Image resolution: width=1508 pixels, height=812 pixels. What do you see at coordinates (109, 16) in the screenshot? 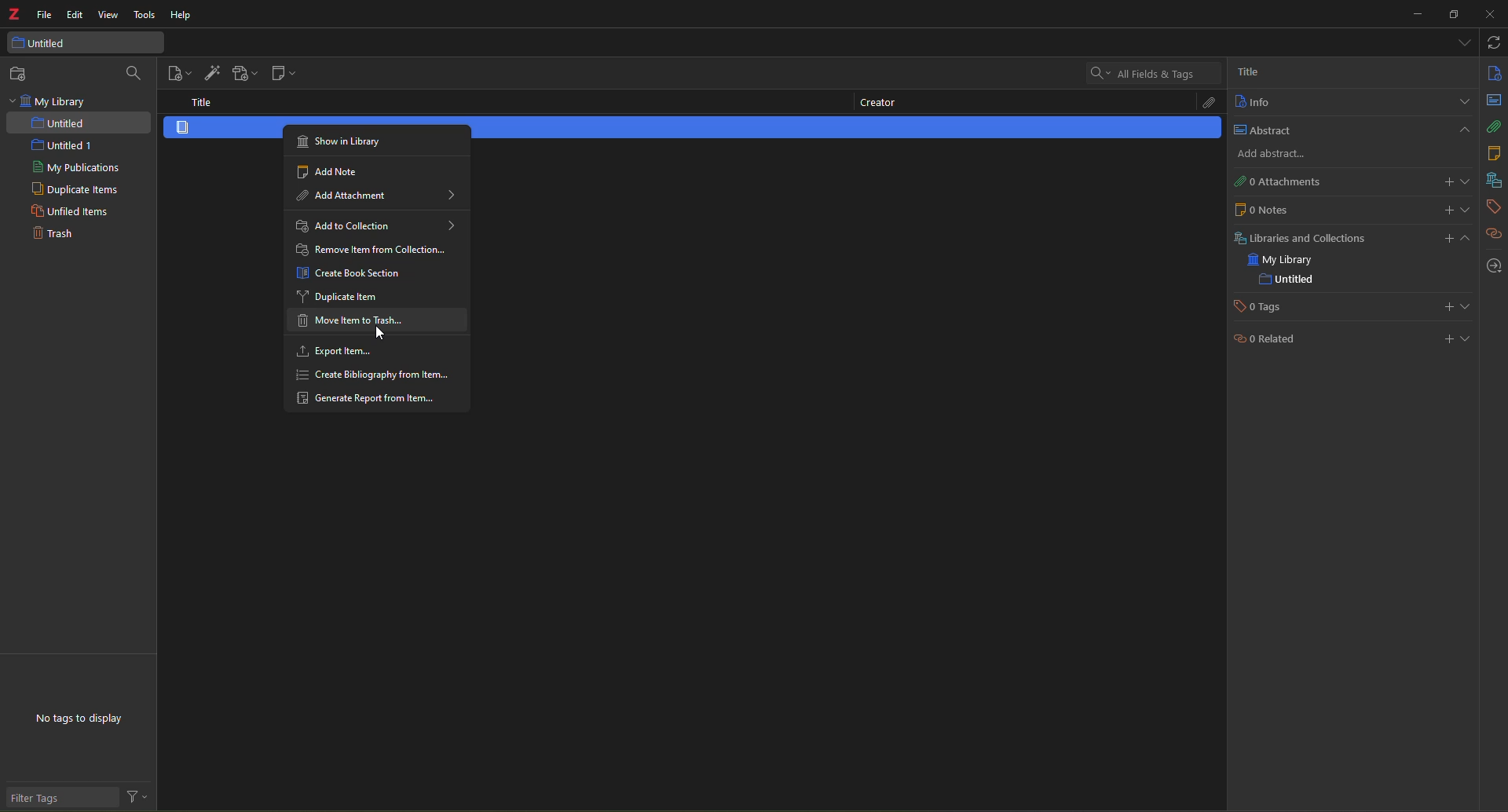
I see `view` at bounding box center [109, 16].